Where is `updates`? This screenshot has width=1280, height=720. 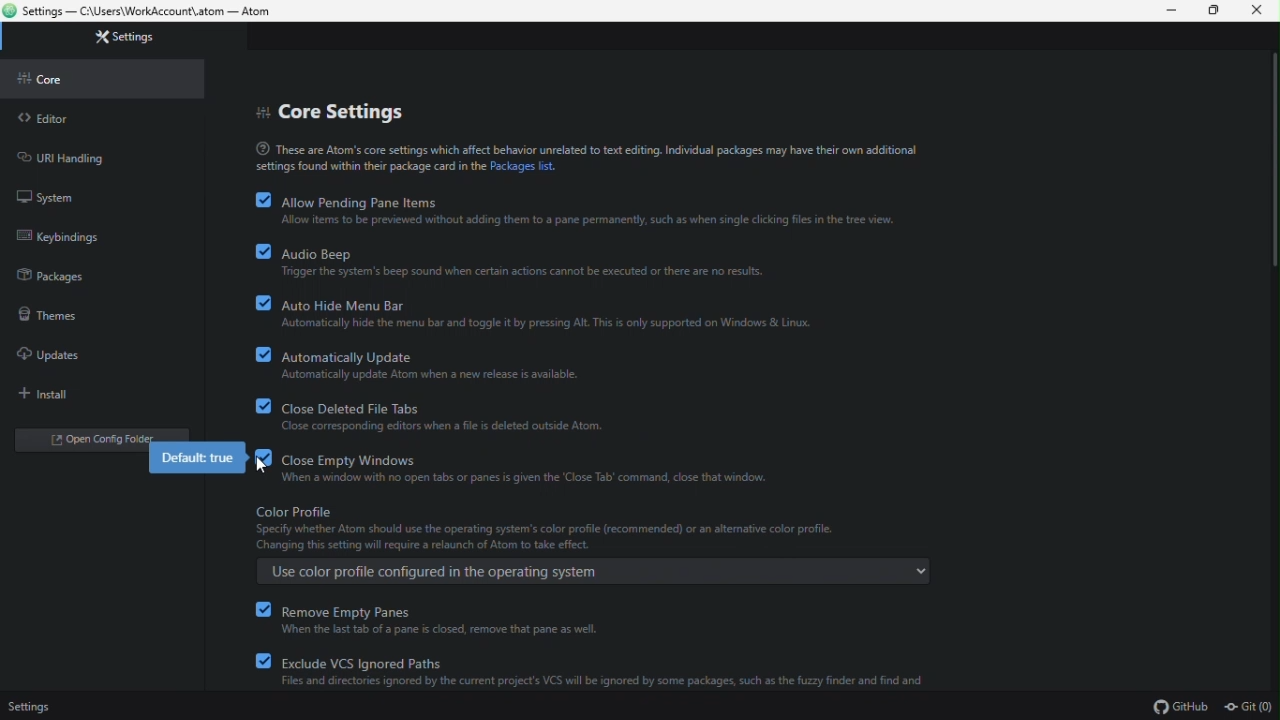
updates is located at coordinates (57, 354).